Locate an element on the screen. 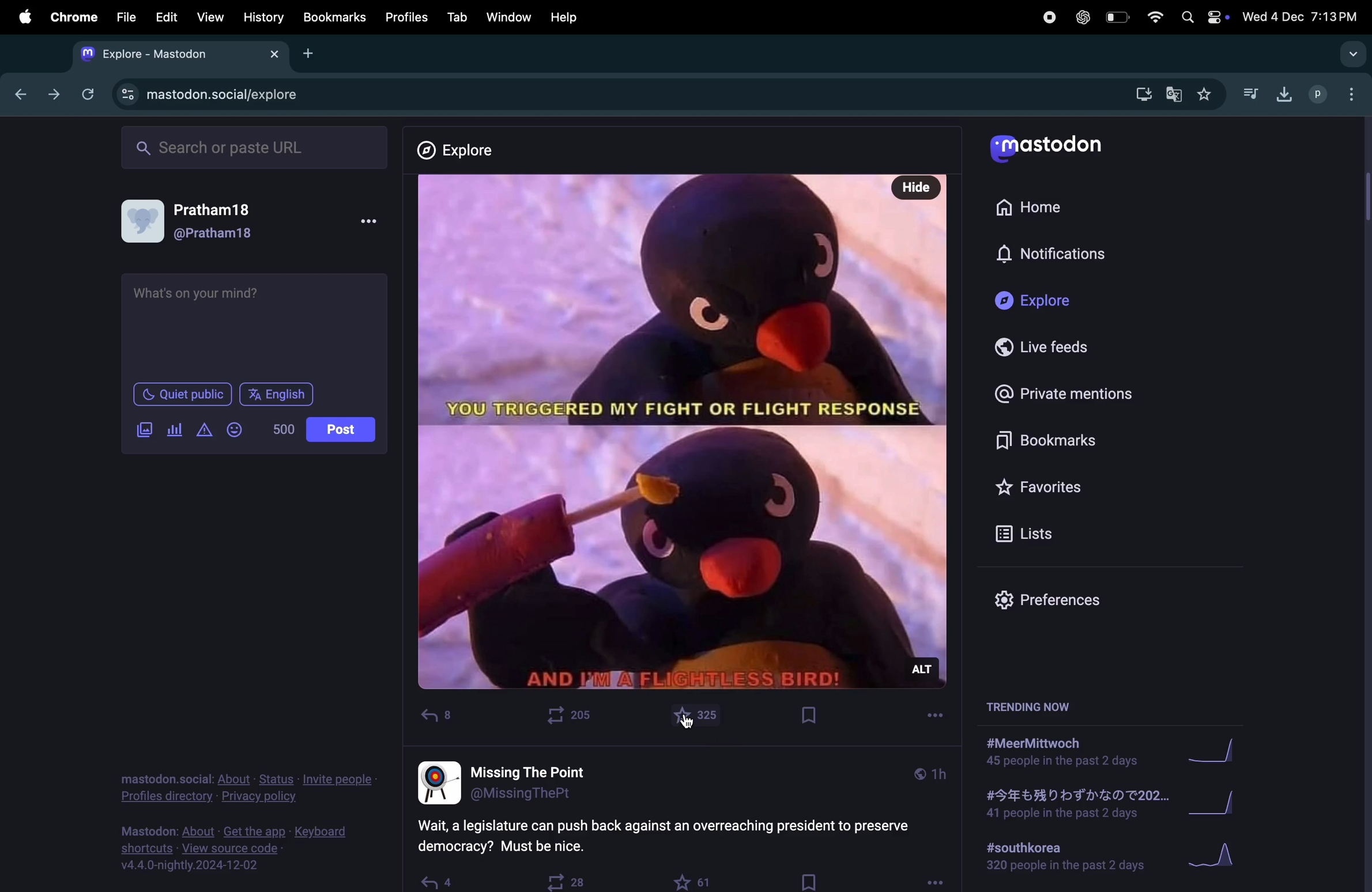 This screenshot has width=1372, height=892. user profle is located at coordinates (1334, 96).